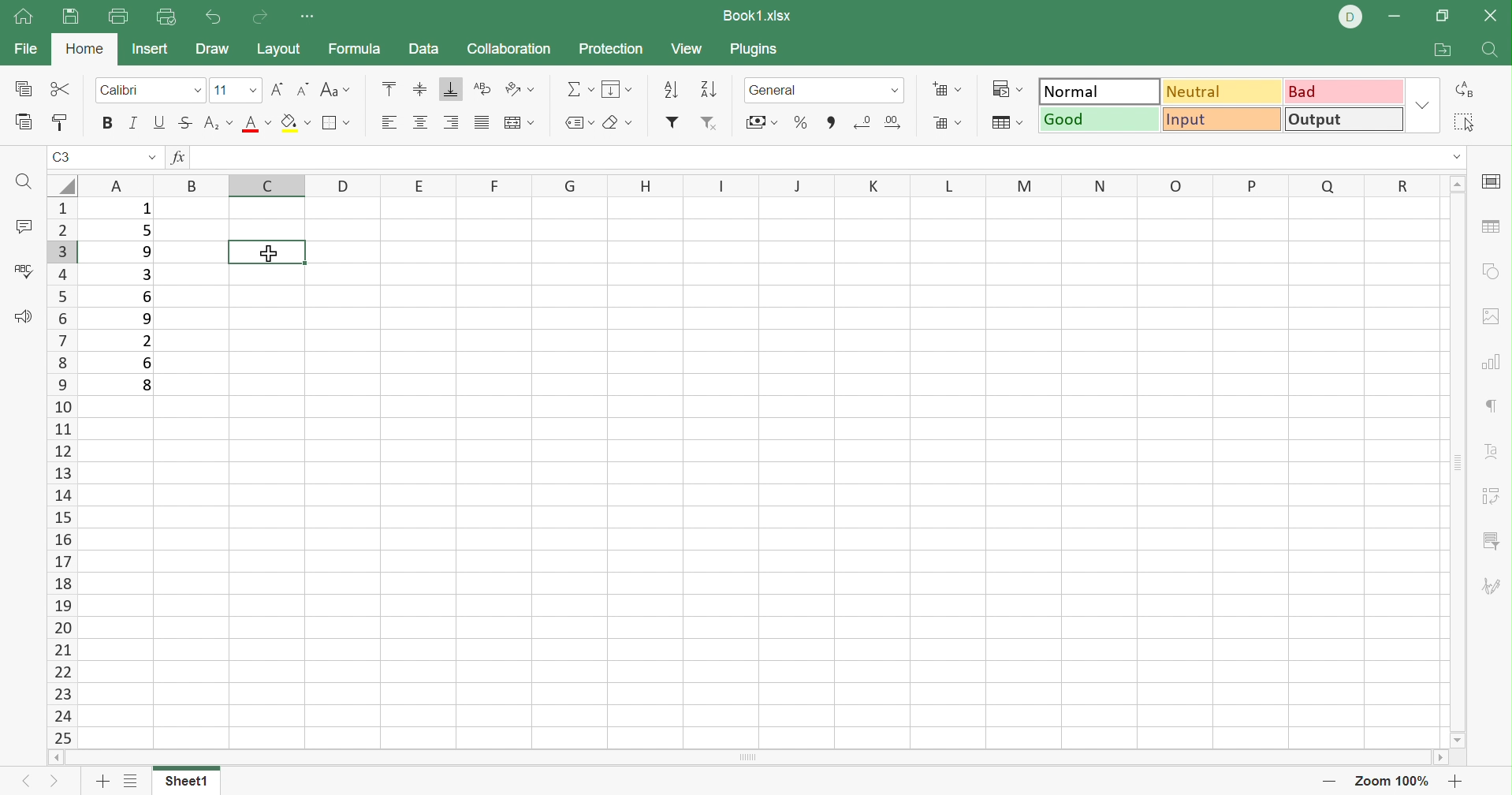 This screenshot has width=1512, height=795. What do you see at coordinates (1422, 104) in the screenshot?
I see `Drop Down` at bounding box center [1422, 104].